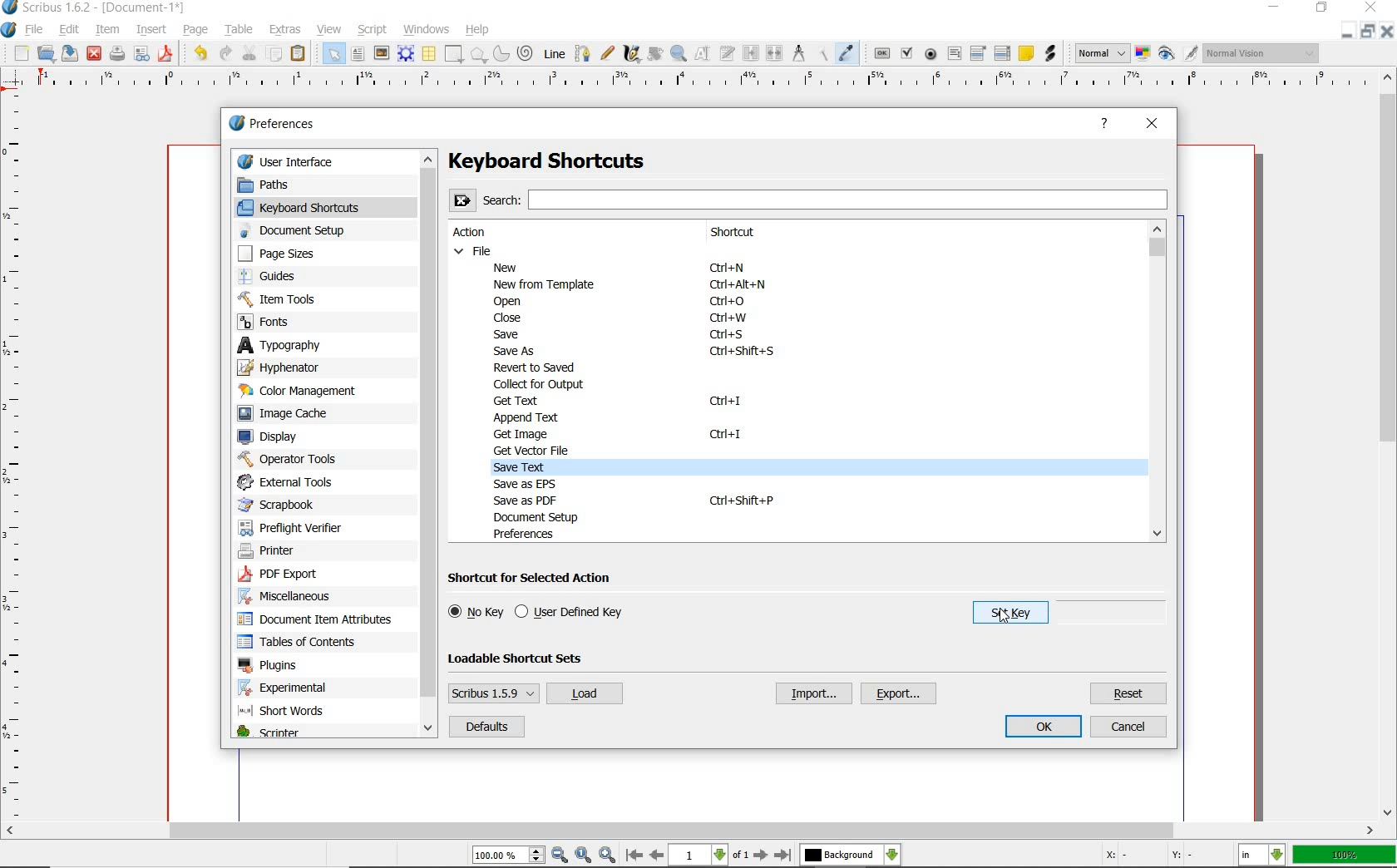  Describe the element at coordinates (1345, 856) in the screenshot. I see `zoom factor` at that location.